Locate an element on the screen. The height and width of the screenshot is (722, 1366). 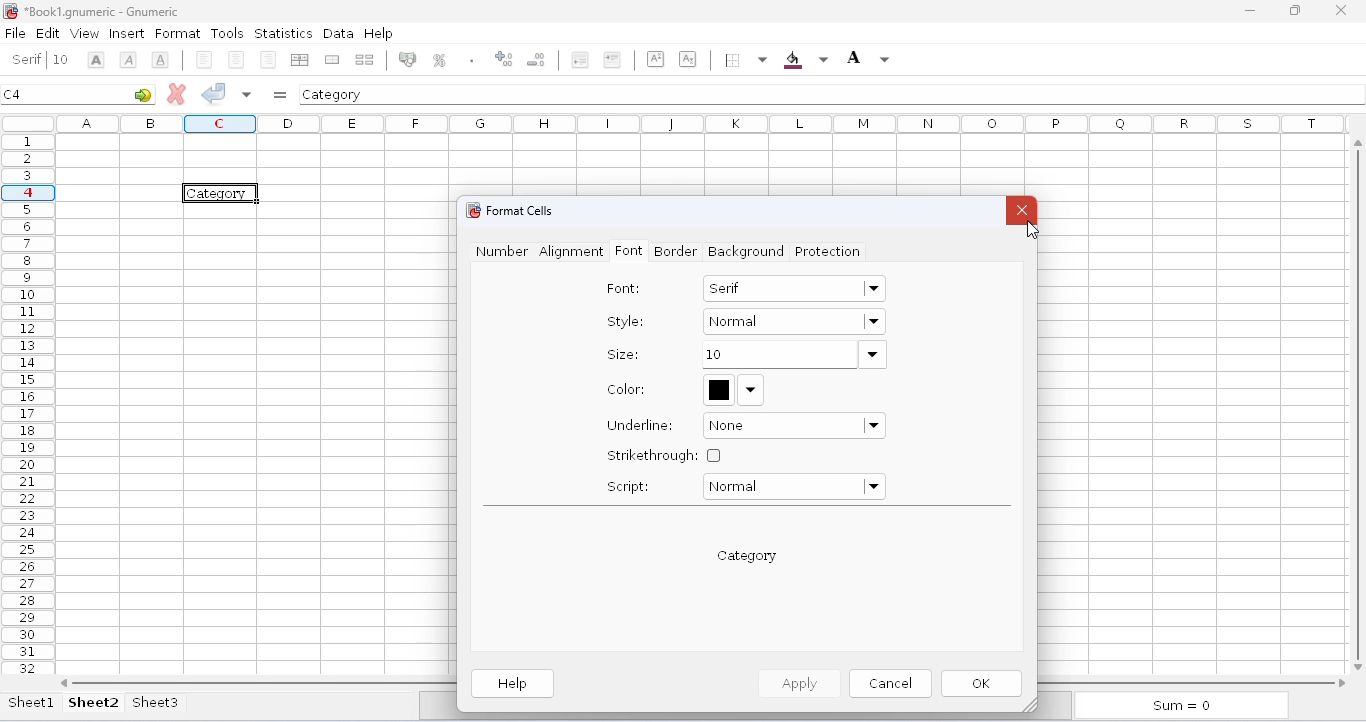
center horizontally across the selection is located at coordinates (332, 60).